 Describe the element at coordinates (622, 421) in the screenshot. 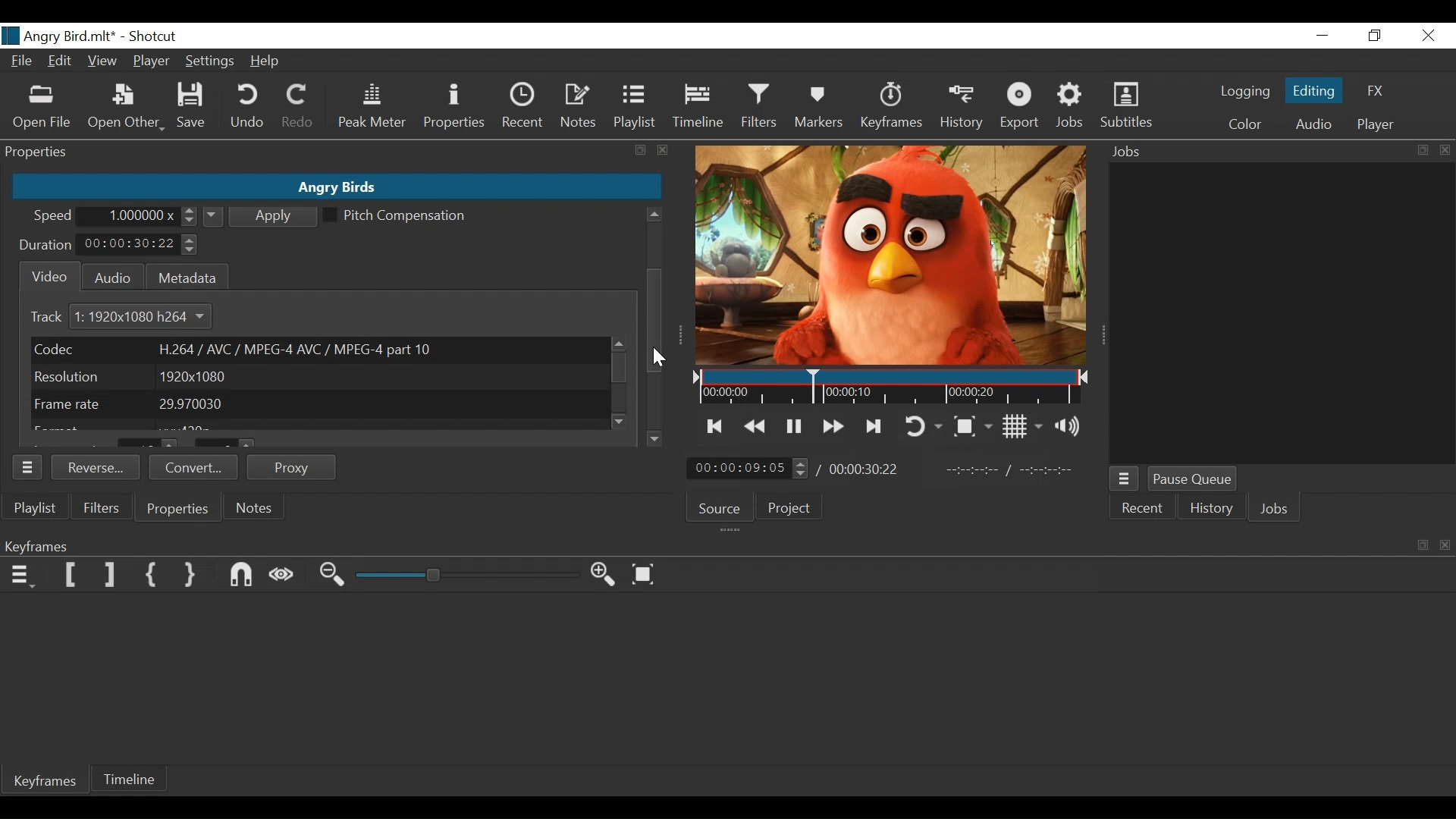

I see `Scroll down` at that location.